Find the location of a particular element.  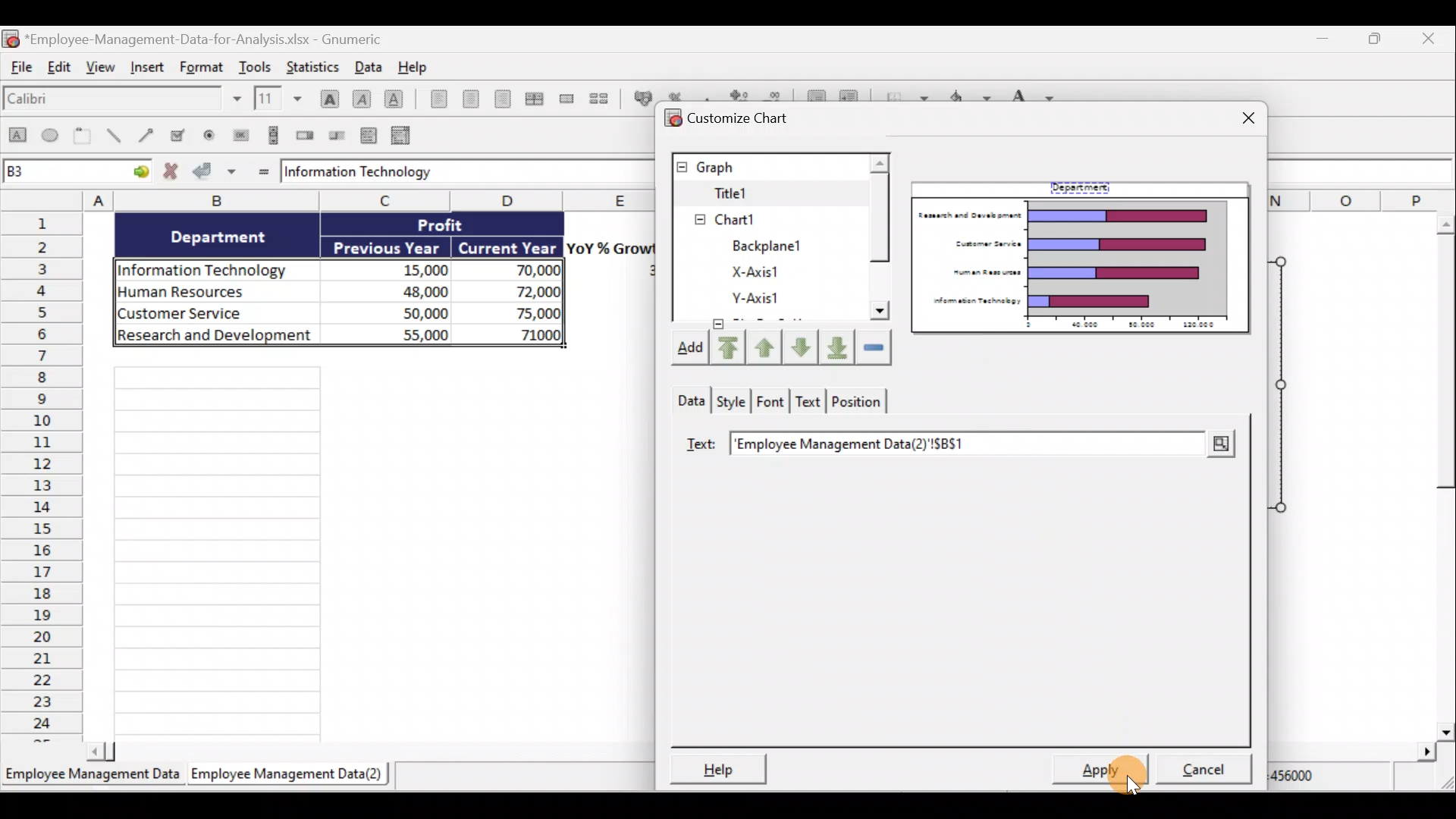

Sheet 2 is located at coordinates (290, 774).